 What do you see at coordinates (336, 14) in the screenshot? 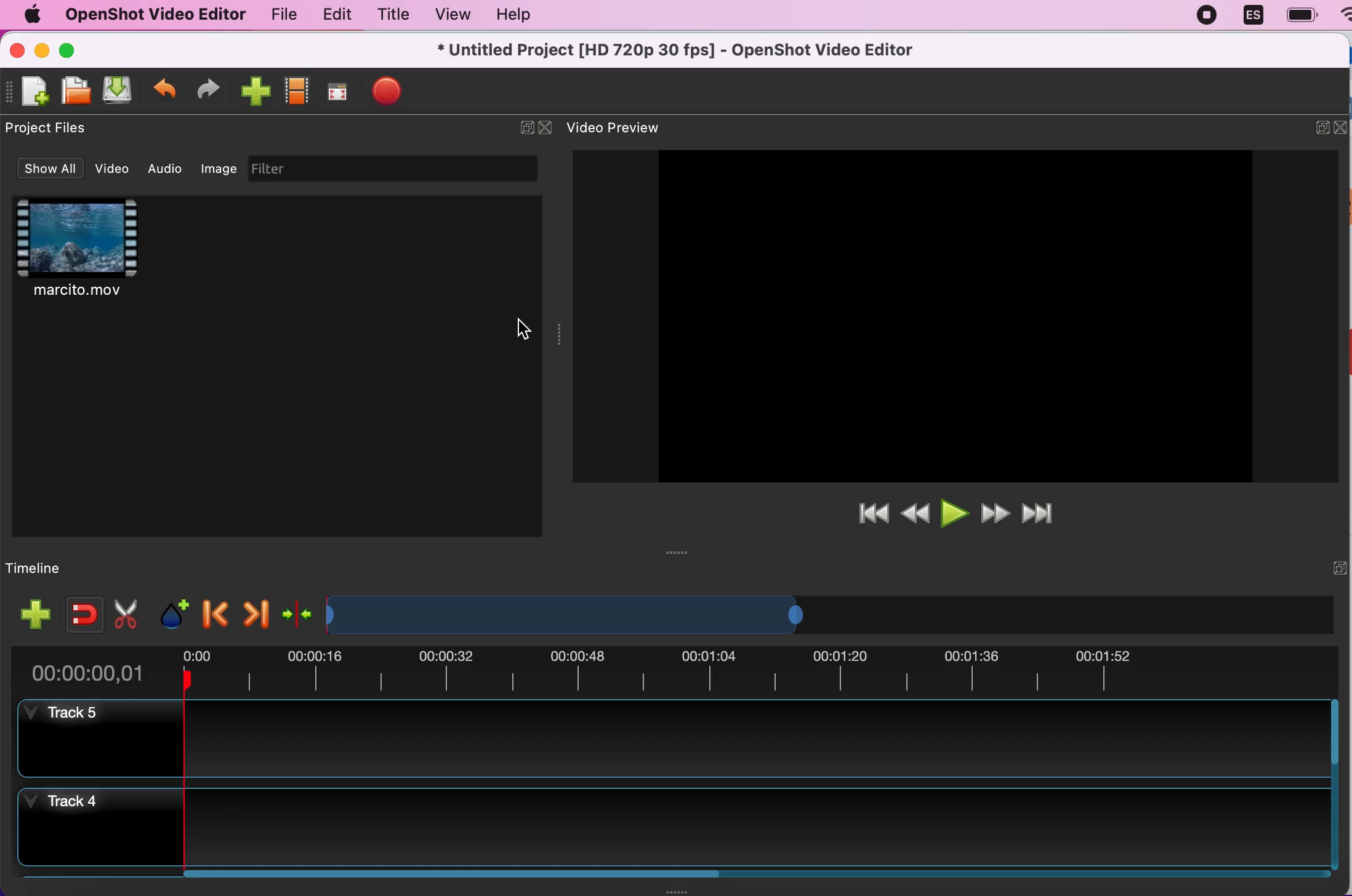
I see `edit` at bounding box center [336, 14].